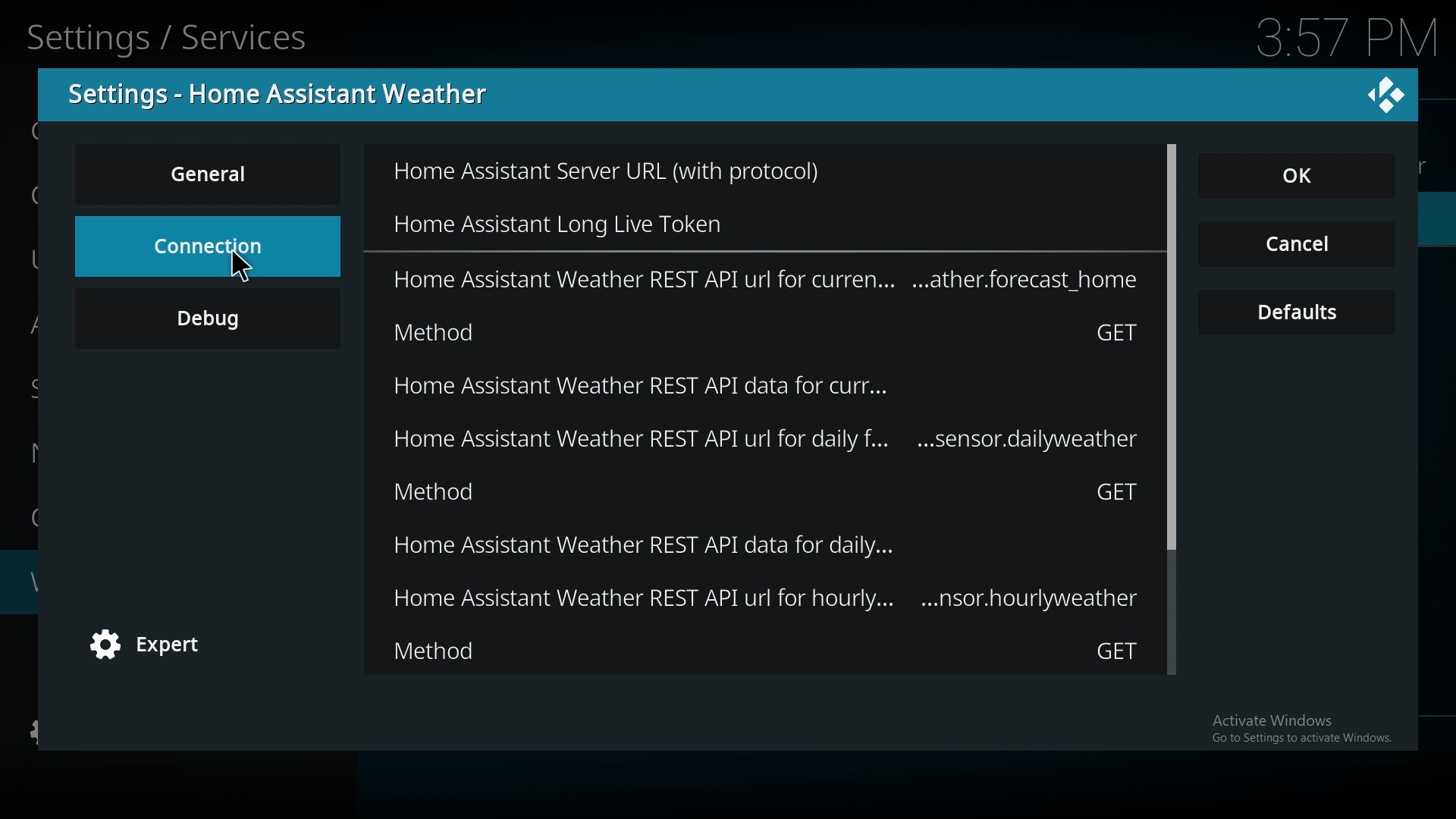 Image resolution: width=1456 pixels, height=819 pixels. What do you see at coordinates (1349, 38) in the screenshot?
I see `Time` at bounding box center [1349, 38].